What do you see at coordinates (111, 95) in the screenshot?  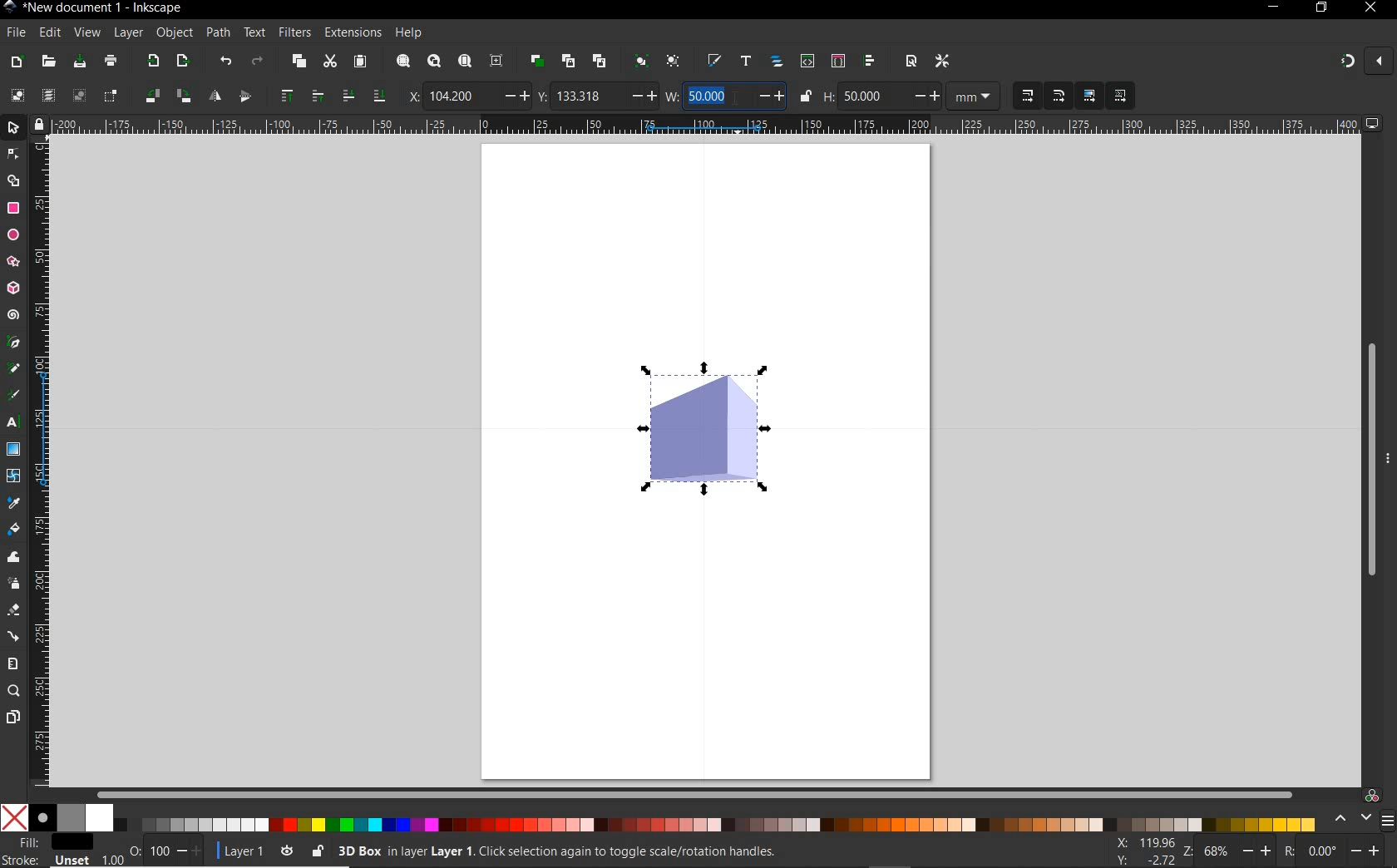 I see `toggle selection box` at bounding box center [111, 95].